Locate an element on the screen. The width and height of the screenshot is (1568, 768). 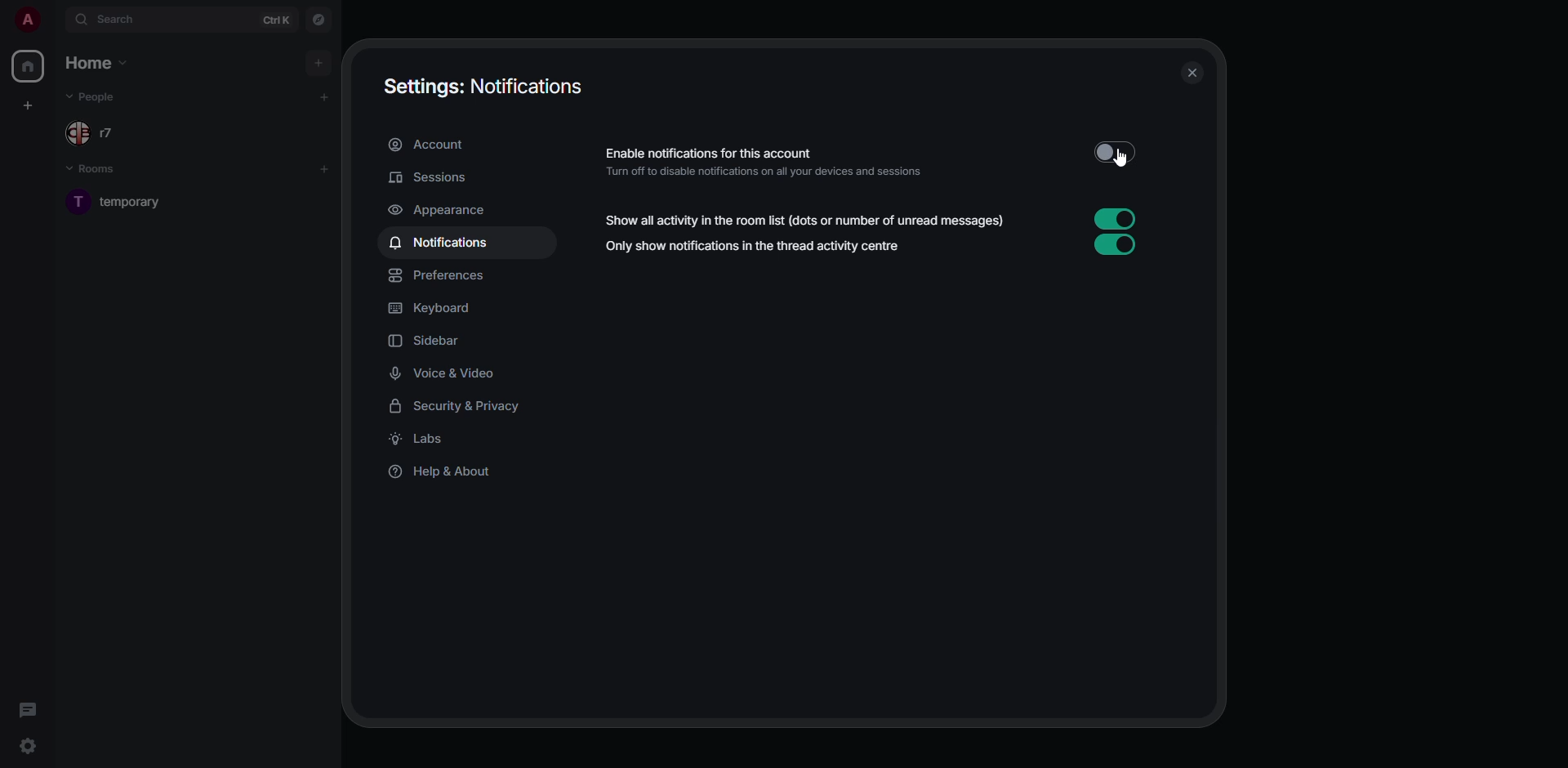
security & privacy is located at coordinates (463, 406).